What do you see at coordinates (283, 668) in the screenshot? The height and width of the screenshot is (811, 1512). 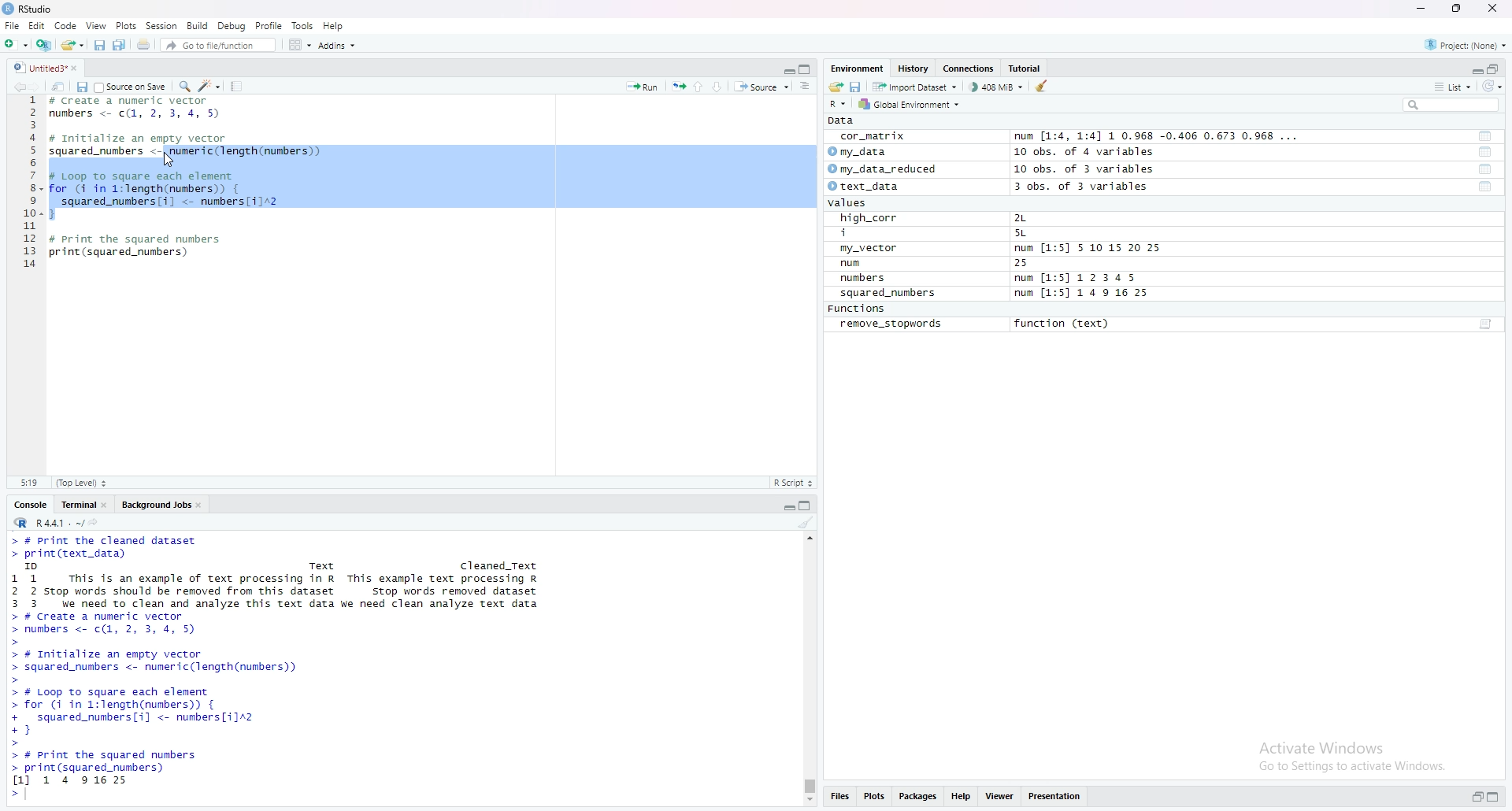 I see `> # print the cleaned dataset> print(text_data)™ Text Cleaned_Text11 This is an example of text processing in R This example text processing R2 2 stop words should be removed from this dataset stop words removed dataset3 3 ve need to clean and analyze this text data We need clean analyze text data> # Create a numeric vector> numbers <- c(1, 2, 3, 4, 5)> # Initialize an empty vector> squared_numbers <- numer ic(length(numbers))> # Loop To square each element> for (i in 1:length(numbers)) {+ squared_numbers[i] <- nunbers[i12+}> # print the squared numbers> print(squared_numbers)1] 1 4 9 16 25 >` at bounding box center [283, 668].